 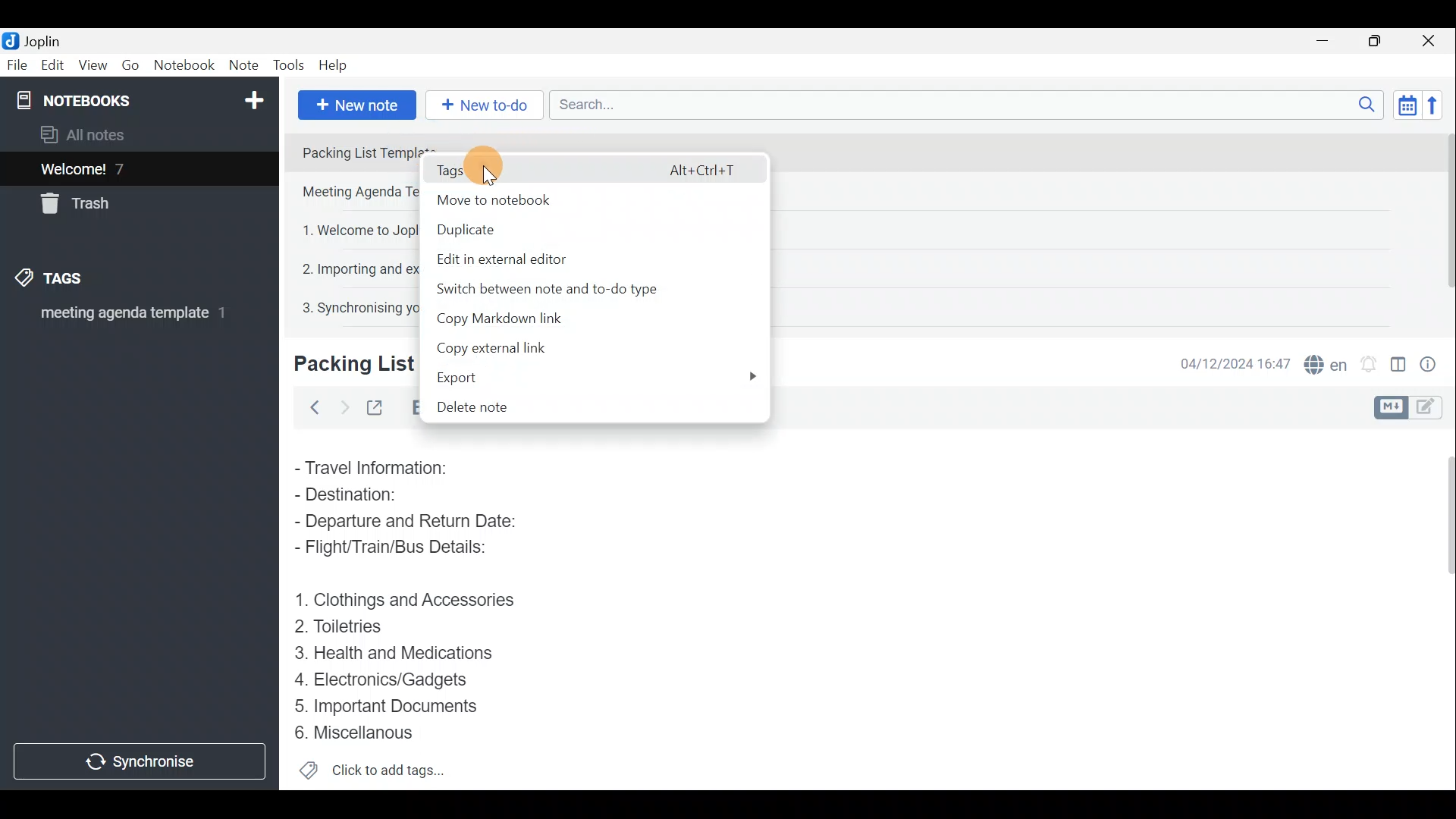 What do you see at coordinates (81, 206) in the screenshot?
I see `Trash` at bounding box center [81, 206].